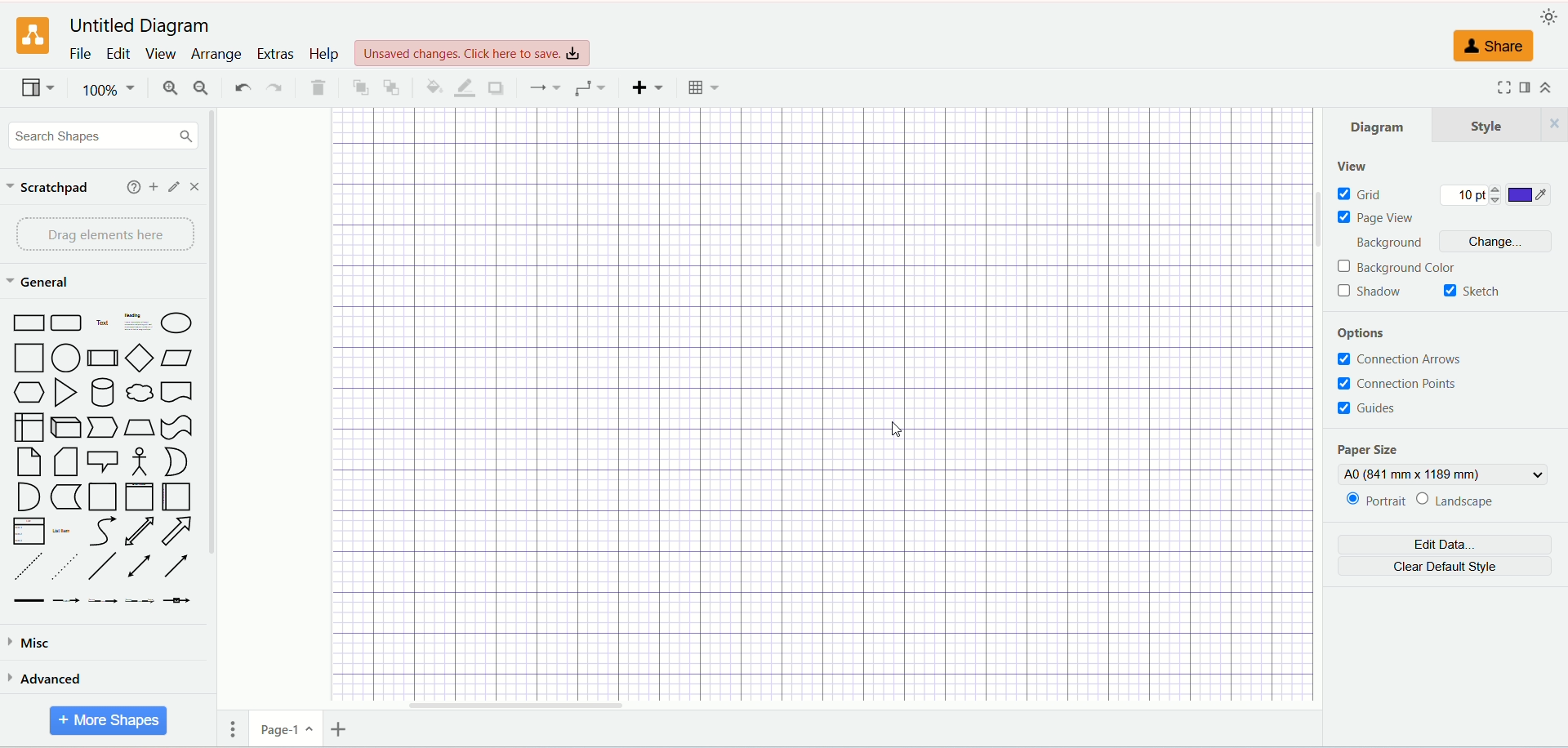 The width and height of the screenshot is (1568, 748). Describe the element at coordinates (763, 709) in the screenshot. I see `horizontal scroll bar` at that location.